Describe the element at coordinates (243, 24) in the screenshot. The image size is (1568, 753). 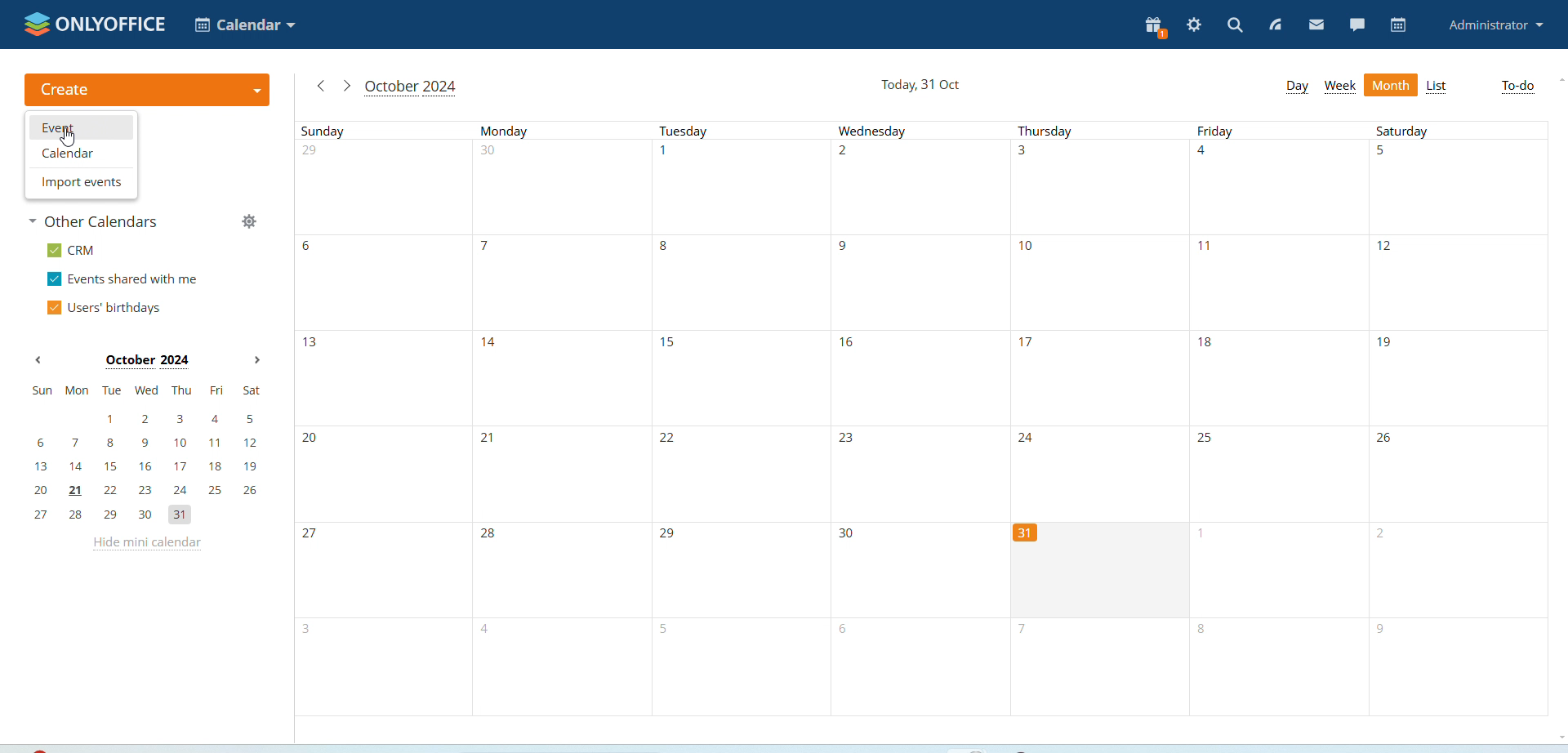
I see `calendar application` at that location.